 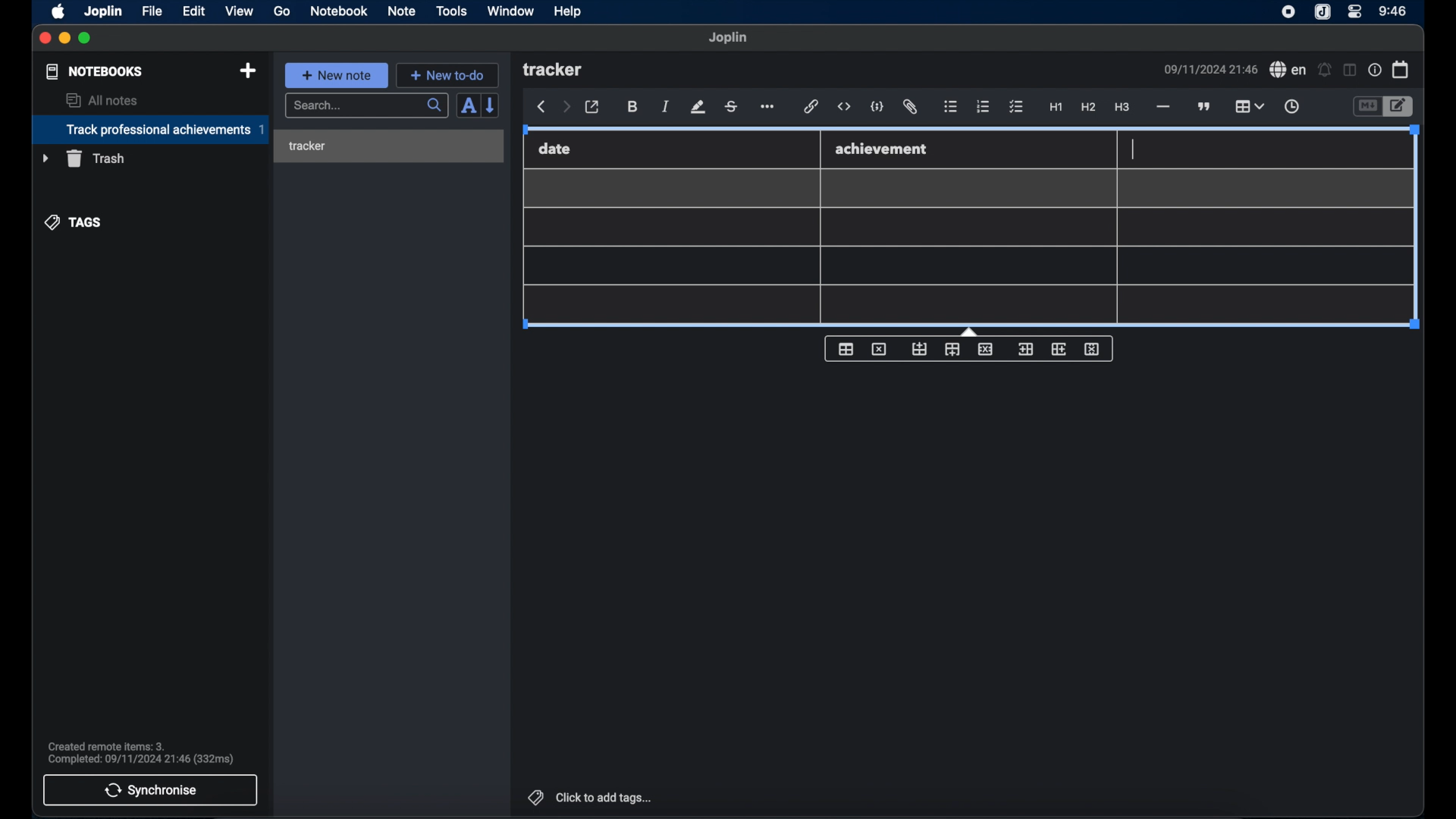 I want to click on forward, so click(x=566, y=108).